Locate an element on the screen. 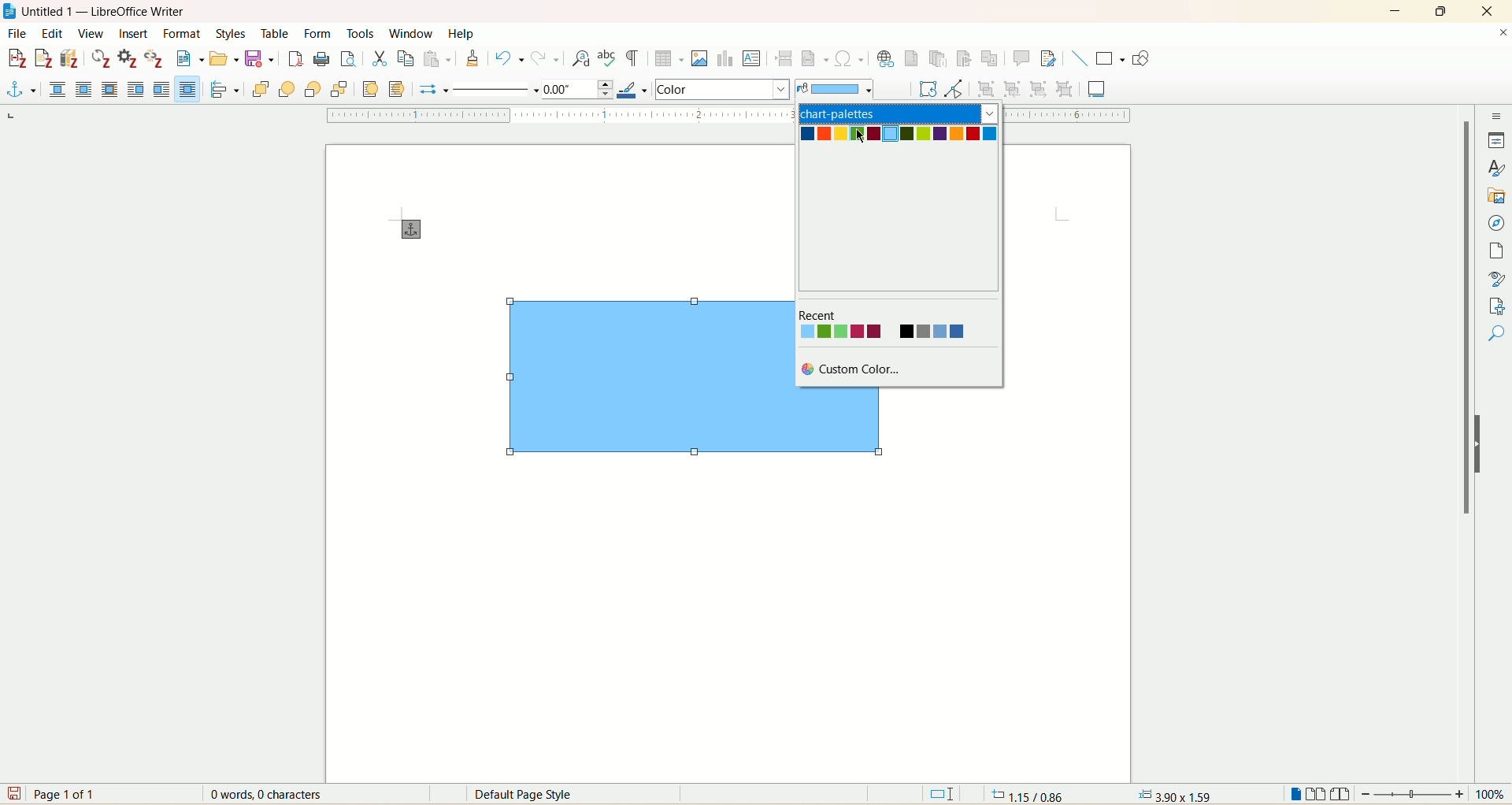  rotate is located at coordinates (925, 89).